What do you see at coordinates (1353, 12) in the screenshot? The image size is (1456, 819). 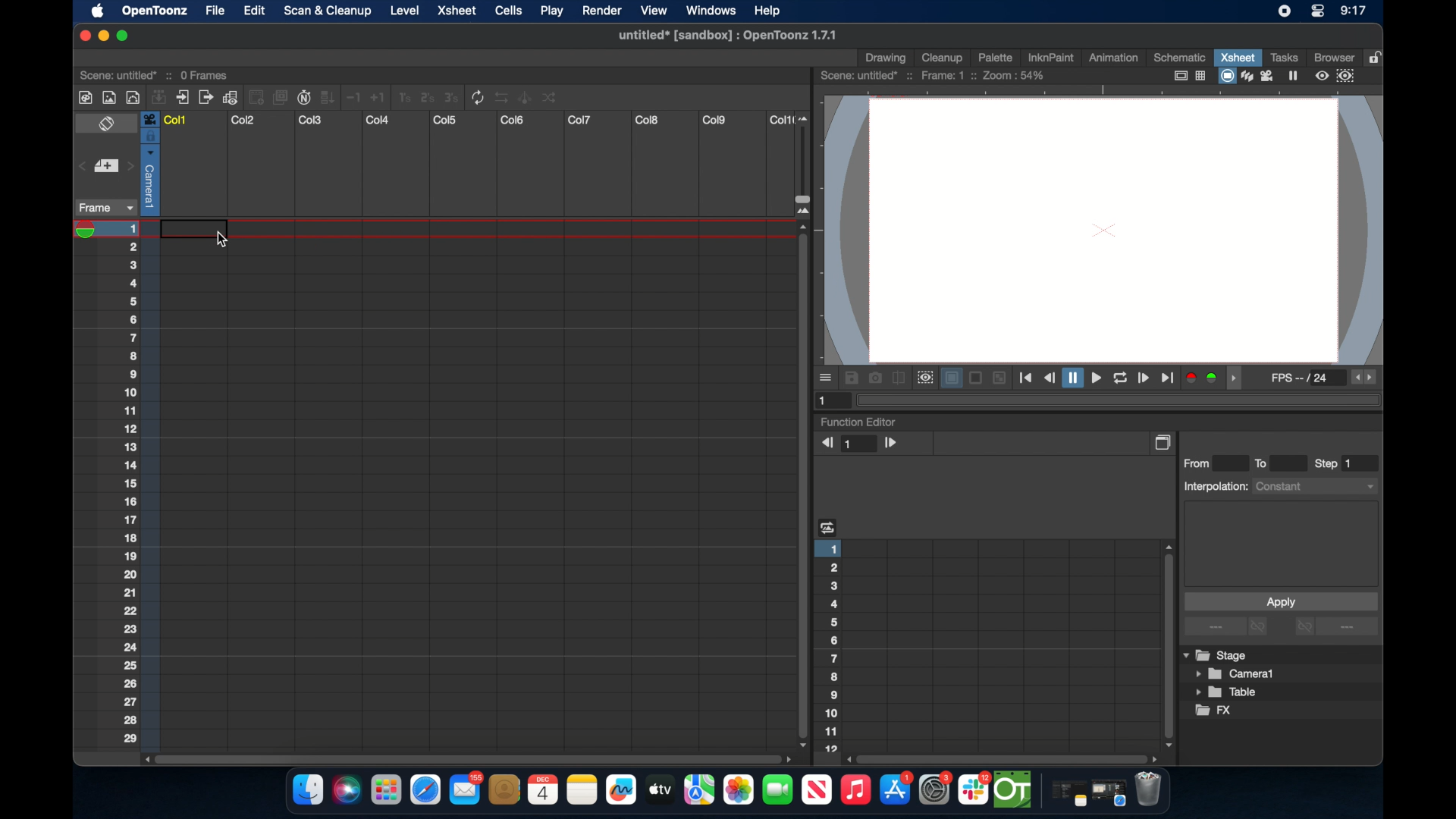 I see `time` at bounding box center [1353, 12].